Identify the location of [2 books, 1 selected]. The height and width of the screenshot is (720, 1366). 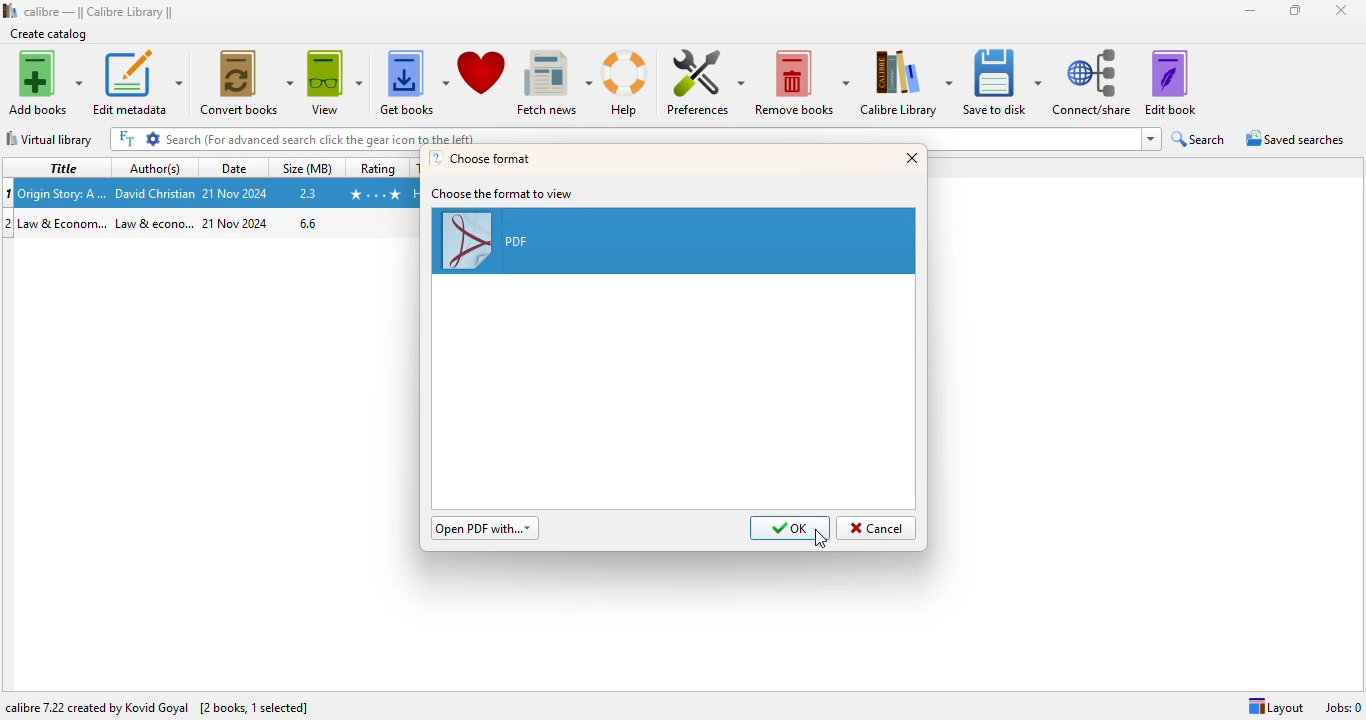
(254, 707).